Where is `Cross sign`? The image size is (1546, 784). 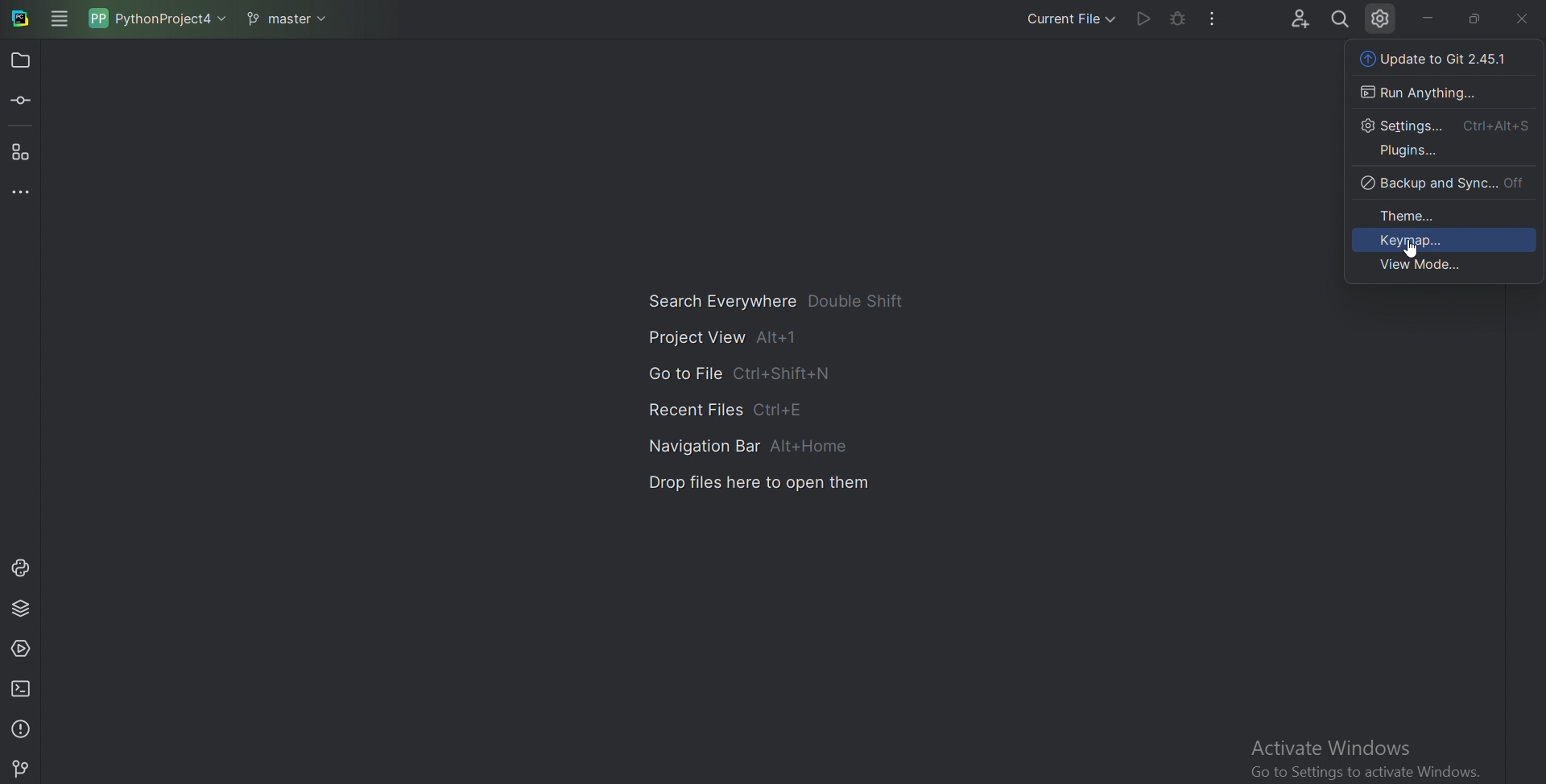 Cross sign is located at coordinates (1525, 19).